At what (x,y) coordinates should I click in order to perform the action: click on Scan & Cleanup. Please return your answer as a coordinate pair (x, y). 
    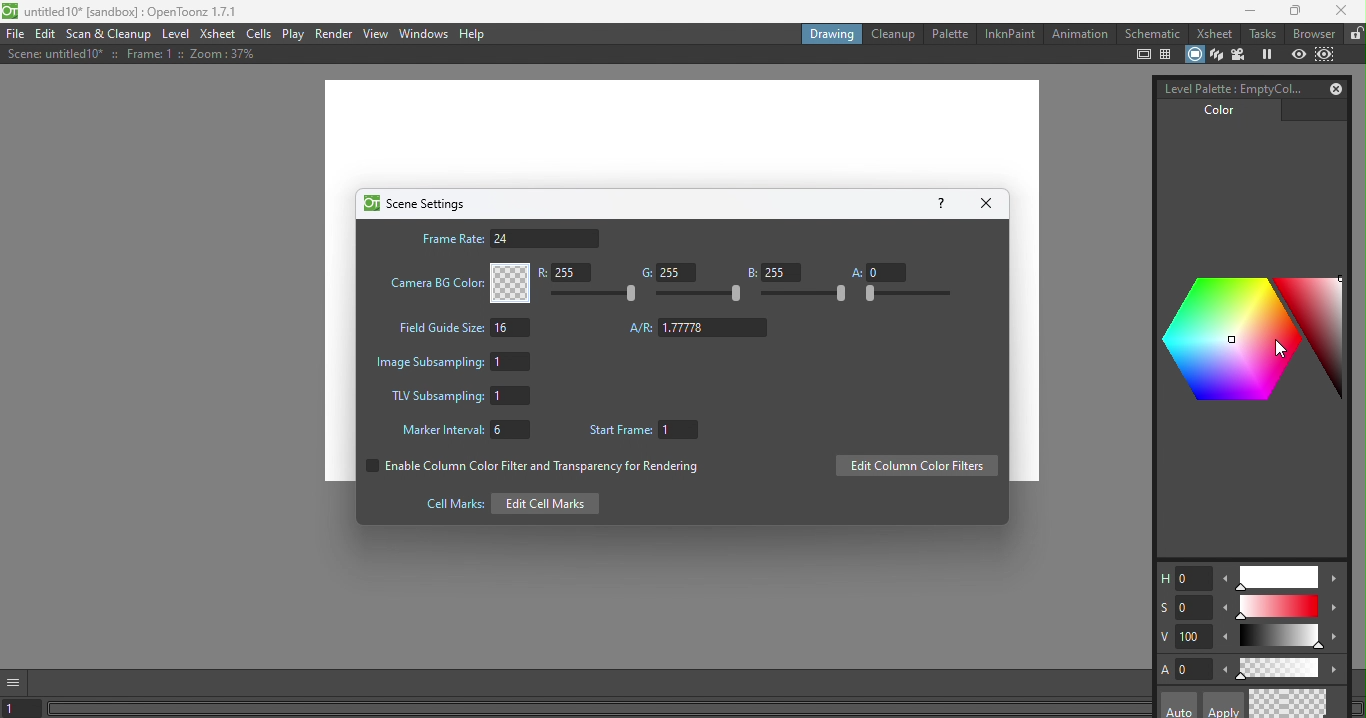
    Looking at the image, I should click on (113, 34).